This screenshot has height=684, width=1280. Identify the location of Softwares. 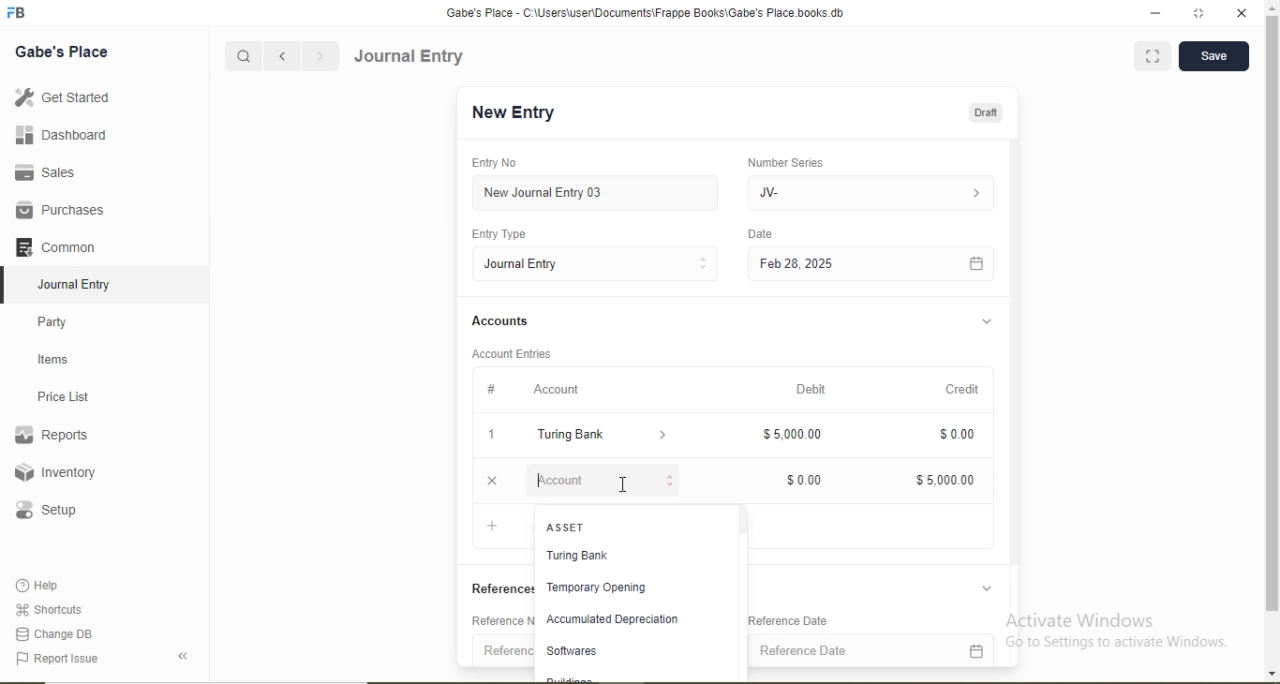
(573, 653).